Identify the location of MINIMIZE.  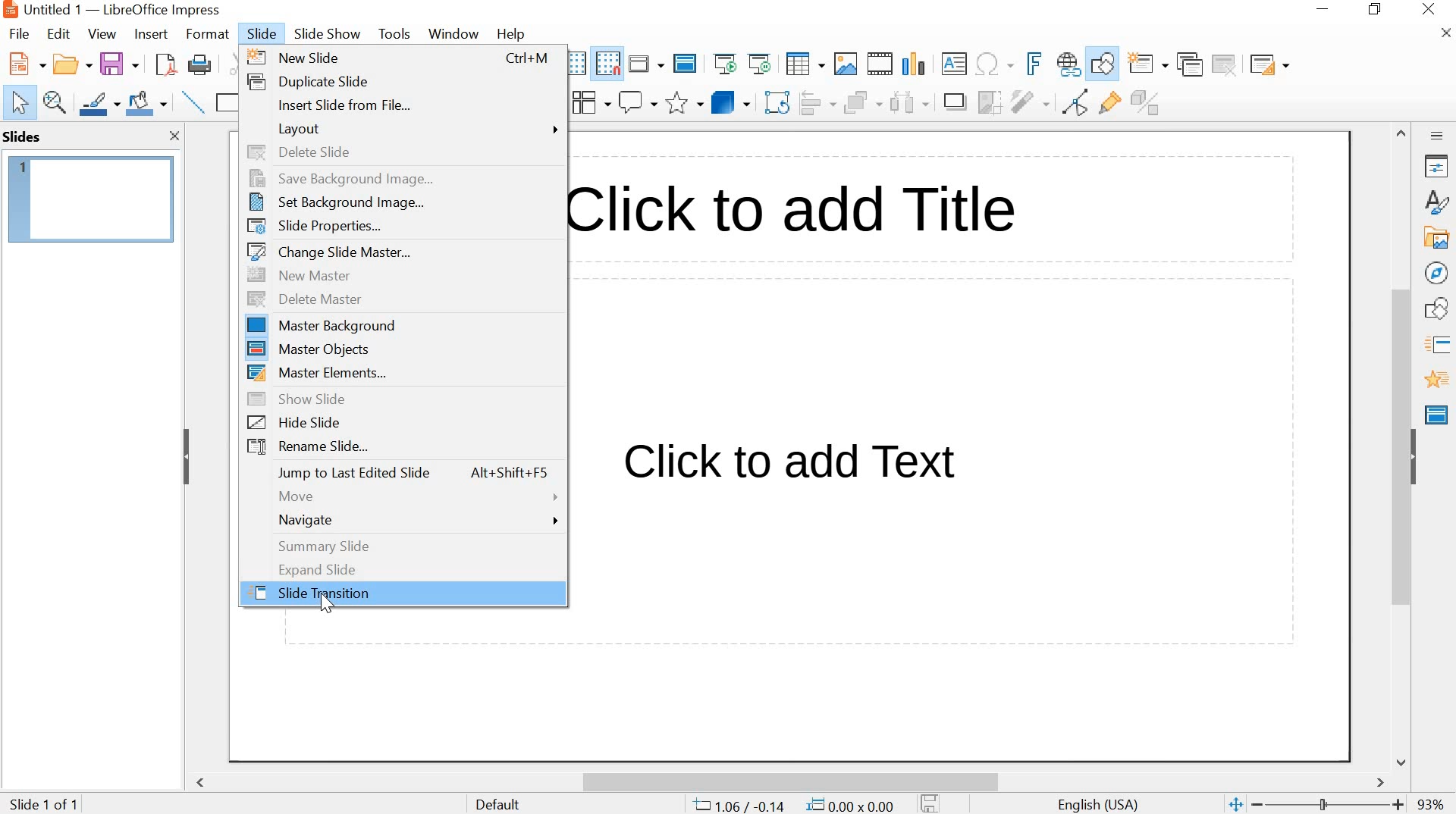
(1325, 9).